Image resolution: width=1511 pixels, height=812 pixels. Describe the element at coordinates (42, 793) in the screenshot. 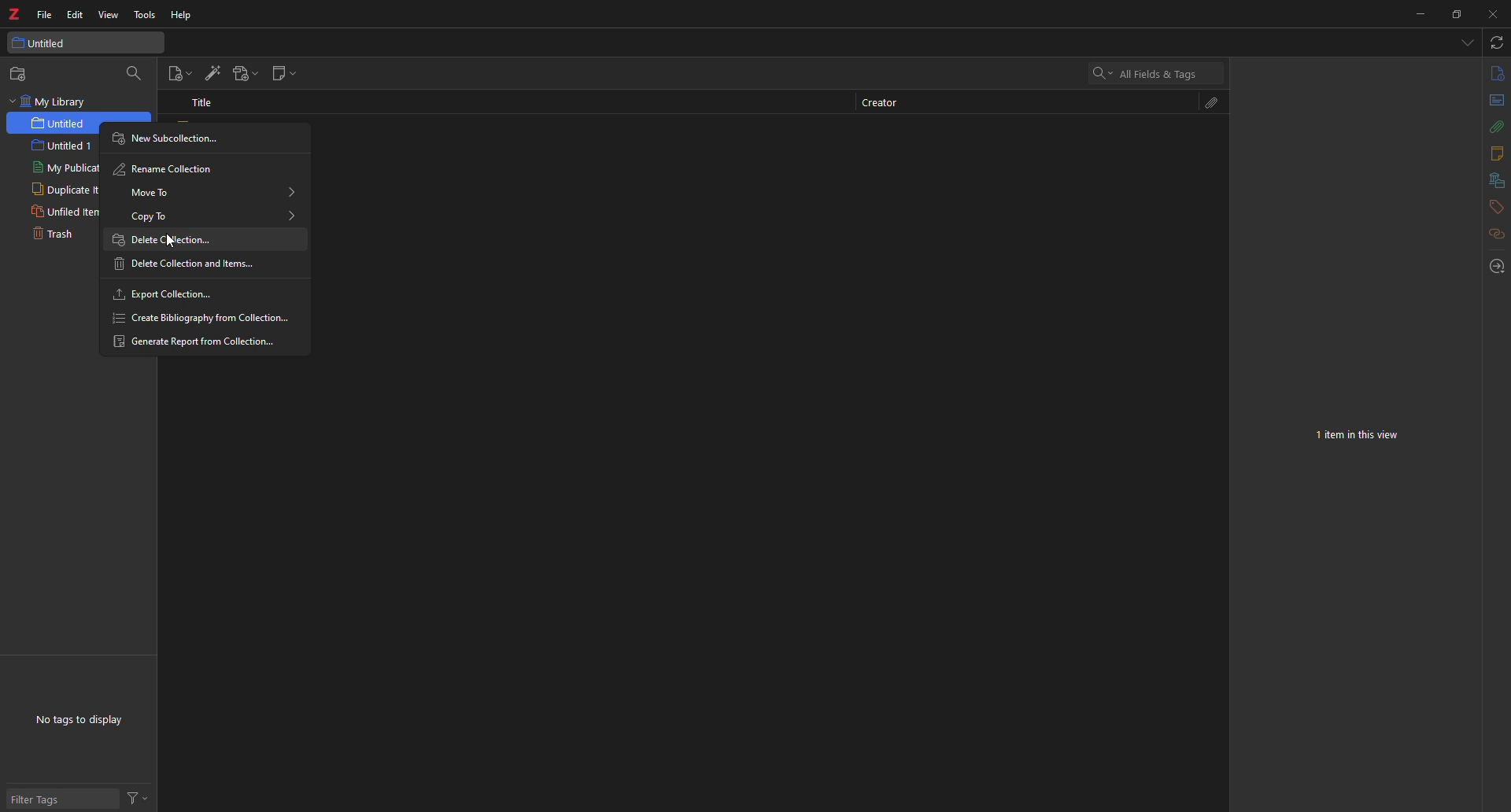

I see `filter tags` at that location.